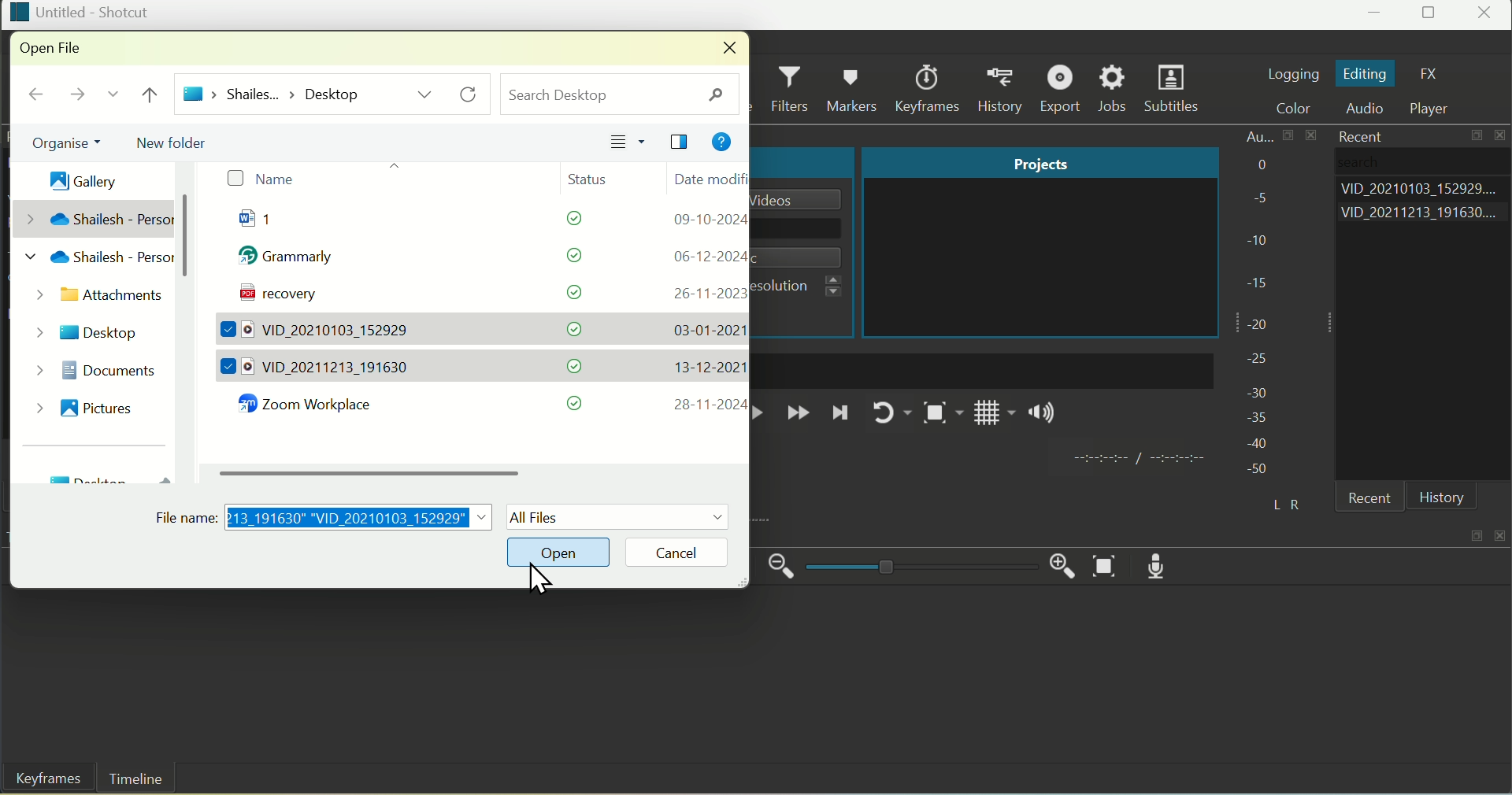  What do you see at coordinates (272, 222) in the screenshot?
I see `1` at bounding box center [272, 222].